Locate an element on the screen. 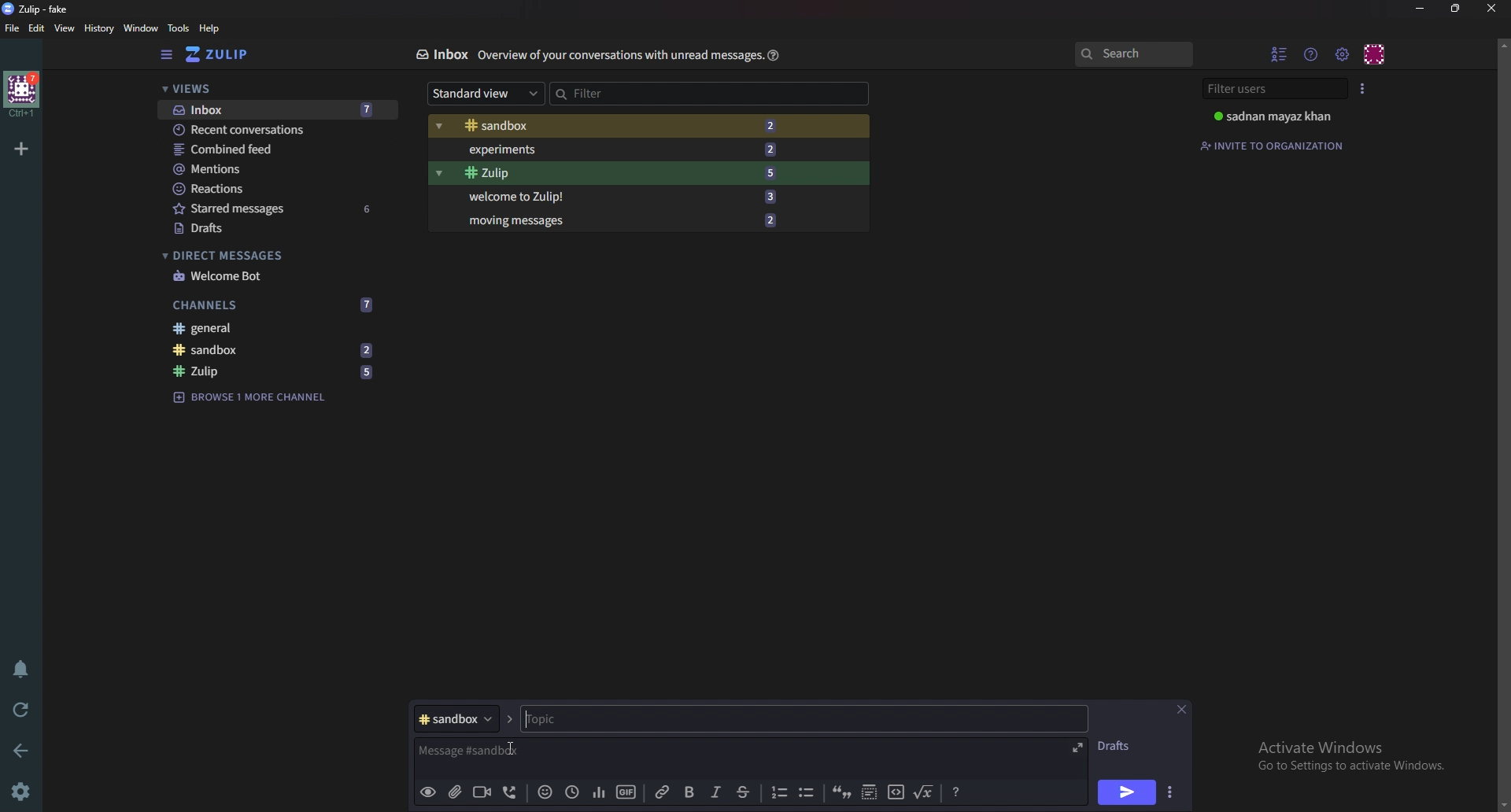  views is located at coordinates (277, 90).